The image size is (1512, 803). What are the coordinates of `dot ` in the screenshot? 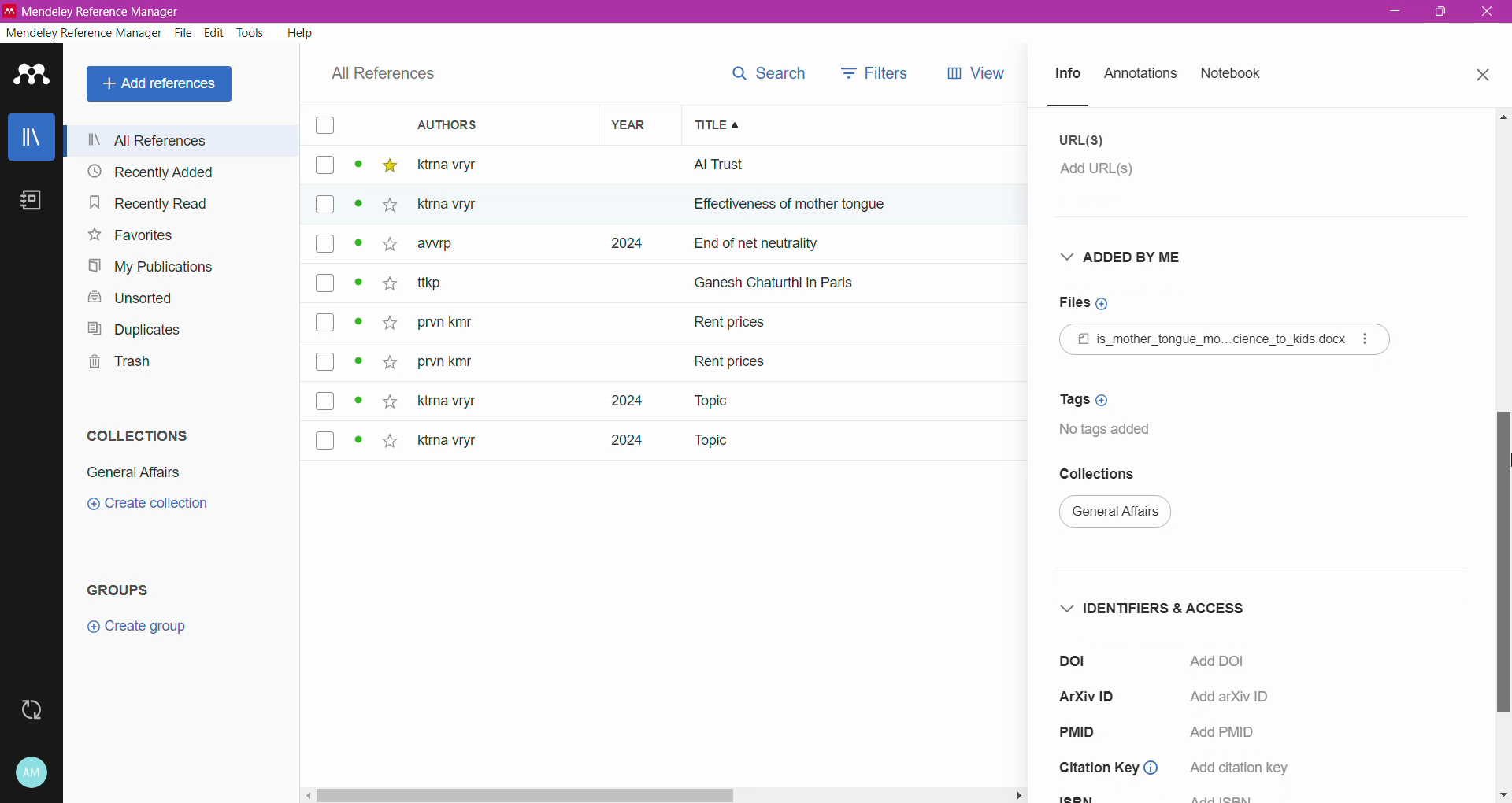 It's located at (358, 248).